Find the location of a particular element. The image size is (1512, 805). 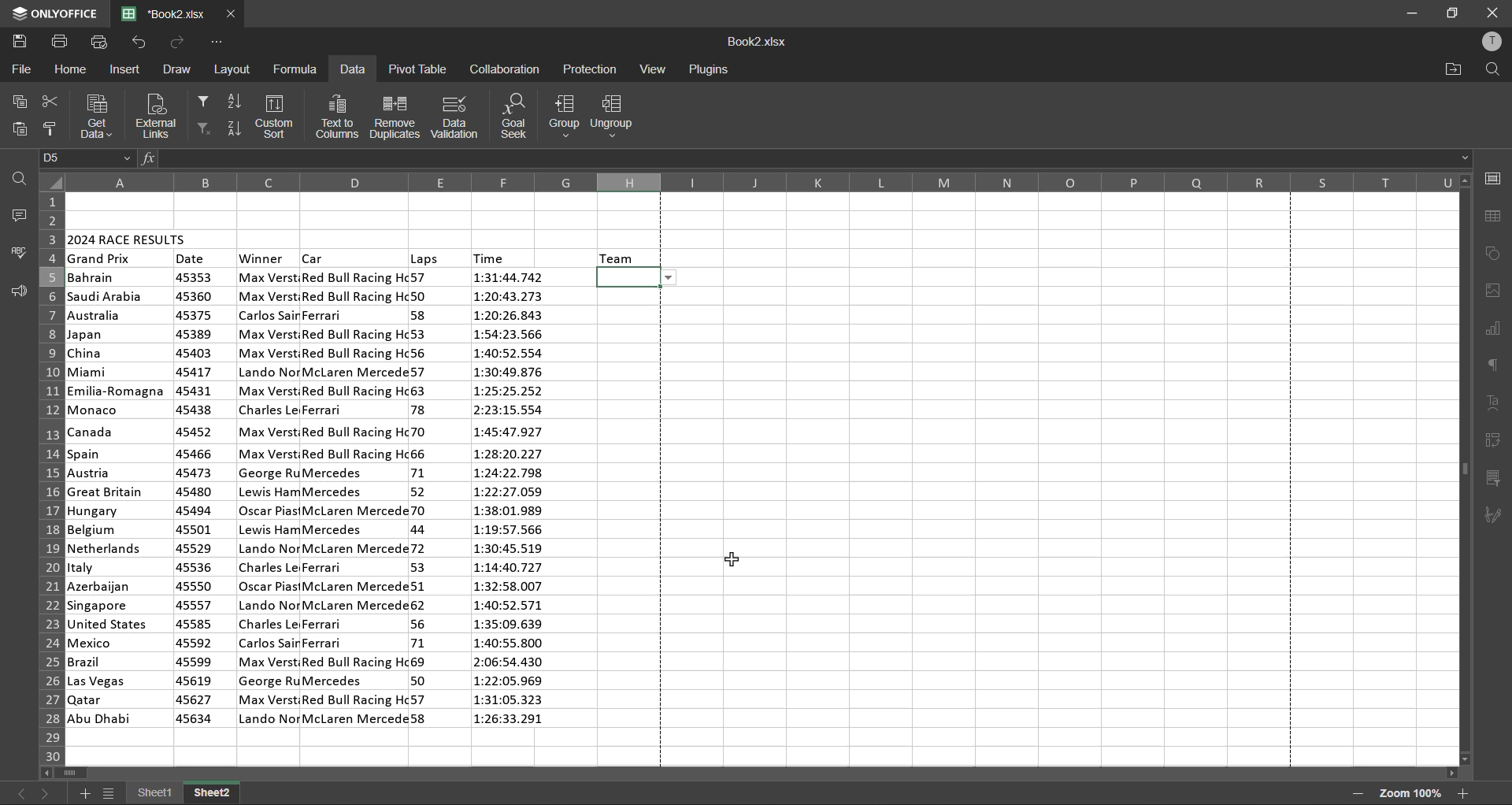

undo is located at coordinates (138, 42).